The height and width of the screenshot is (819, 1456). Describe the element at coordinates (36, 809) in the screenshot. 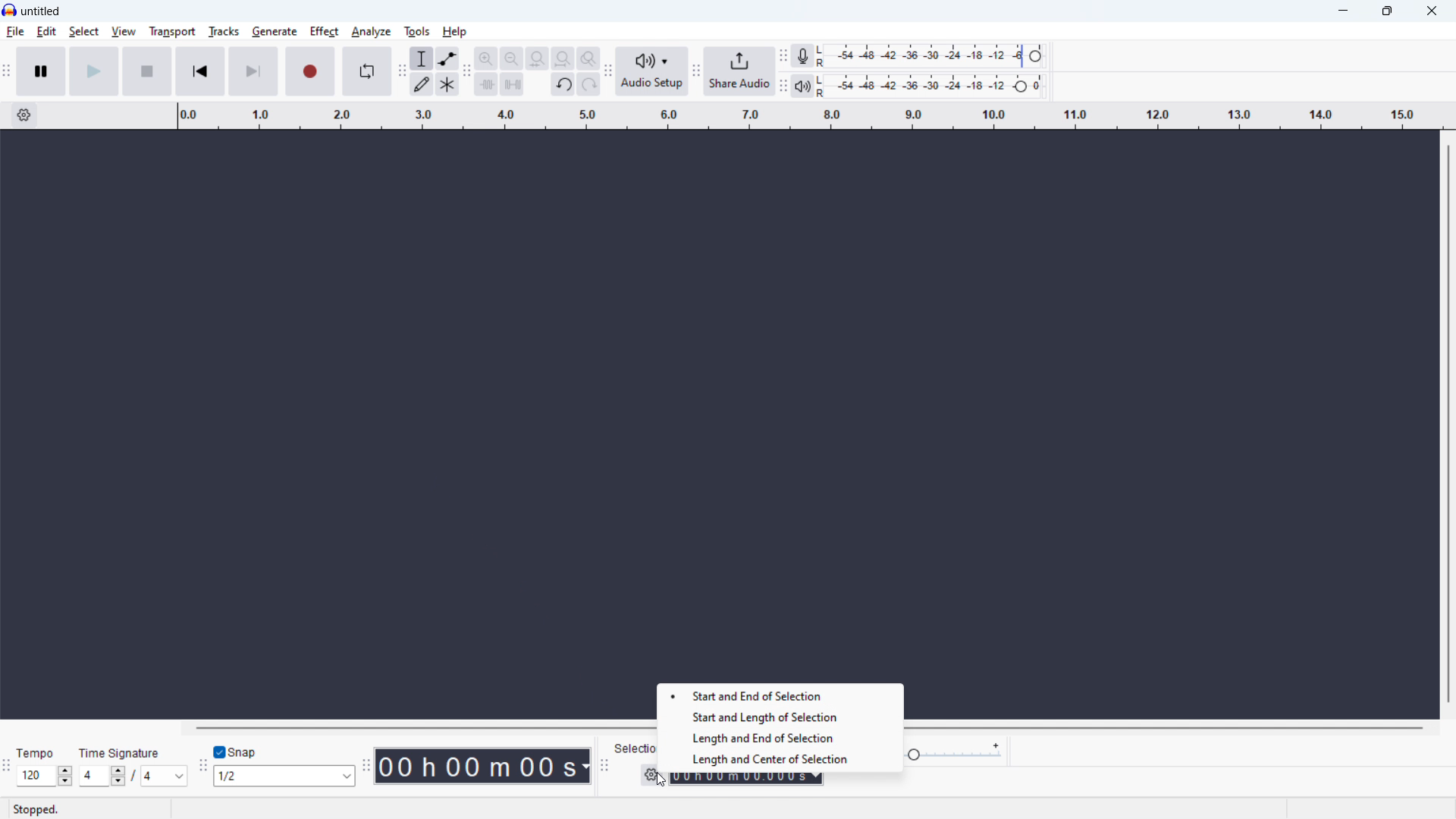

I see `stopped.` at that location.